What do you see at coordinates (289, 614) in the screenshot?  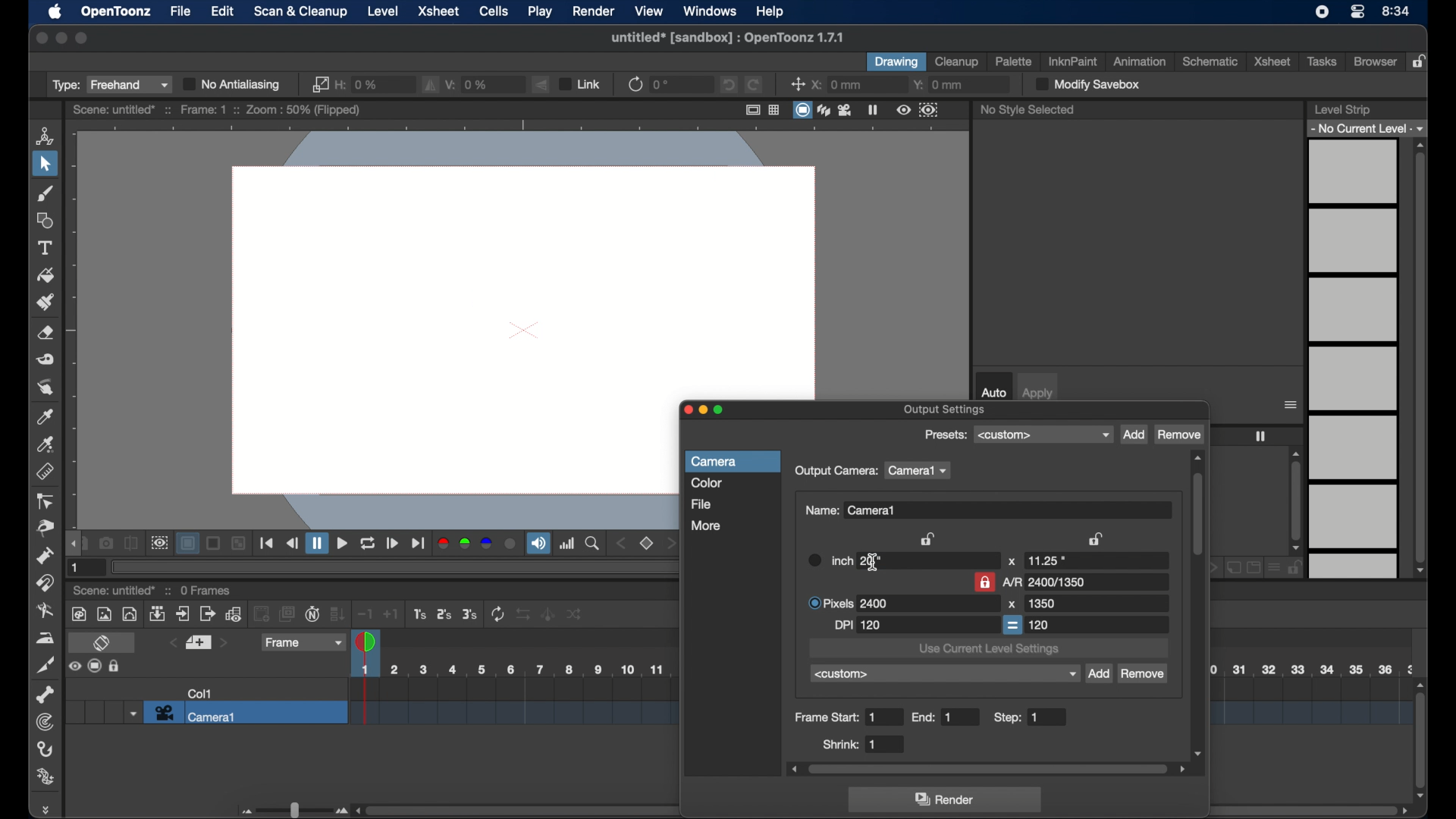 I see `` at bounding box center [289, 614].